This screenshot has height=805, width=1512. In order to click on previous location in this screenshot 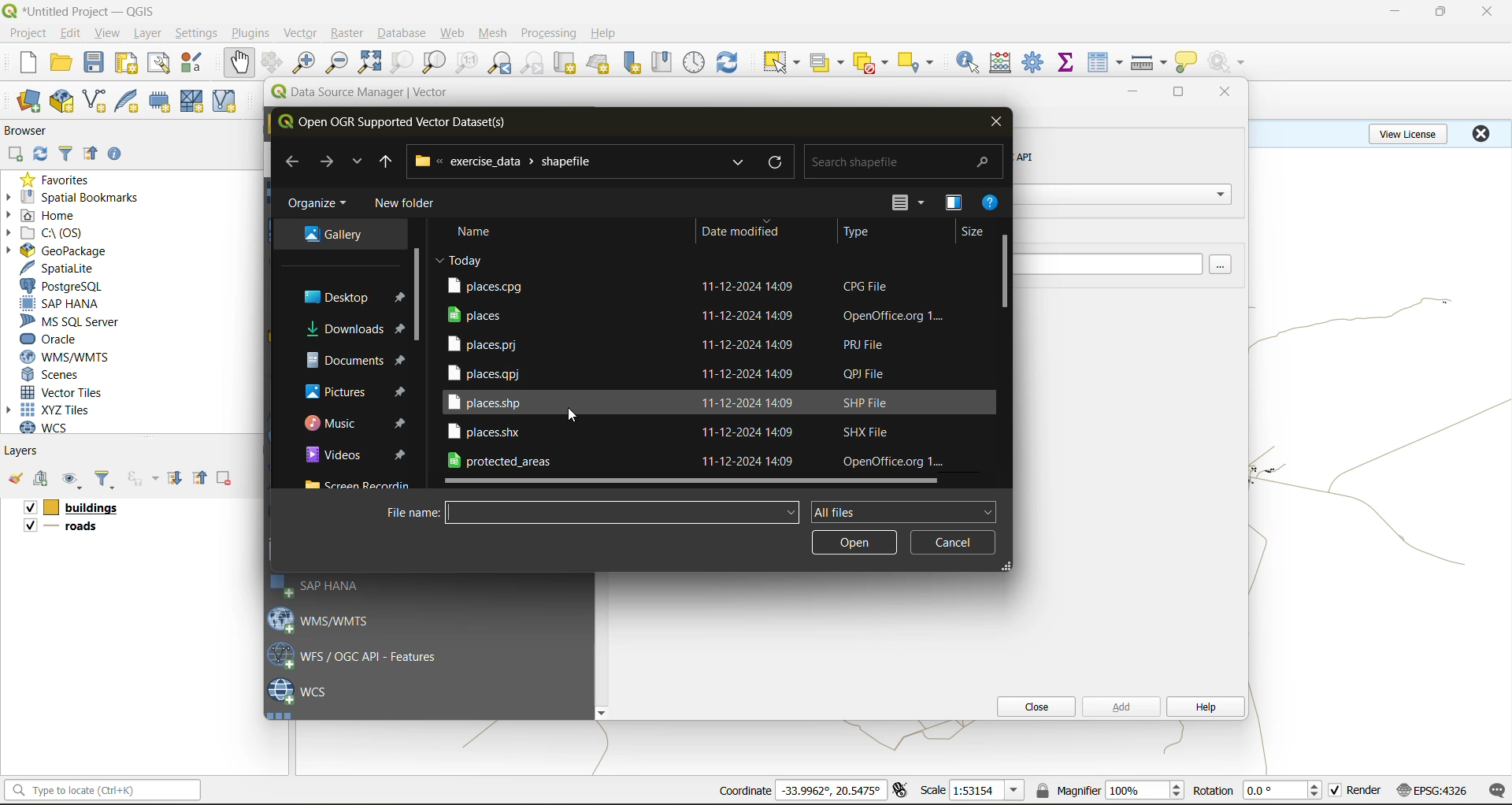, I will do `click(386, 165)`.